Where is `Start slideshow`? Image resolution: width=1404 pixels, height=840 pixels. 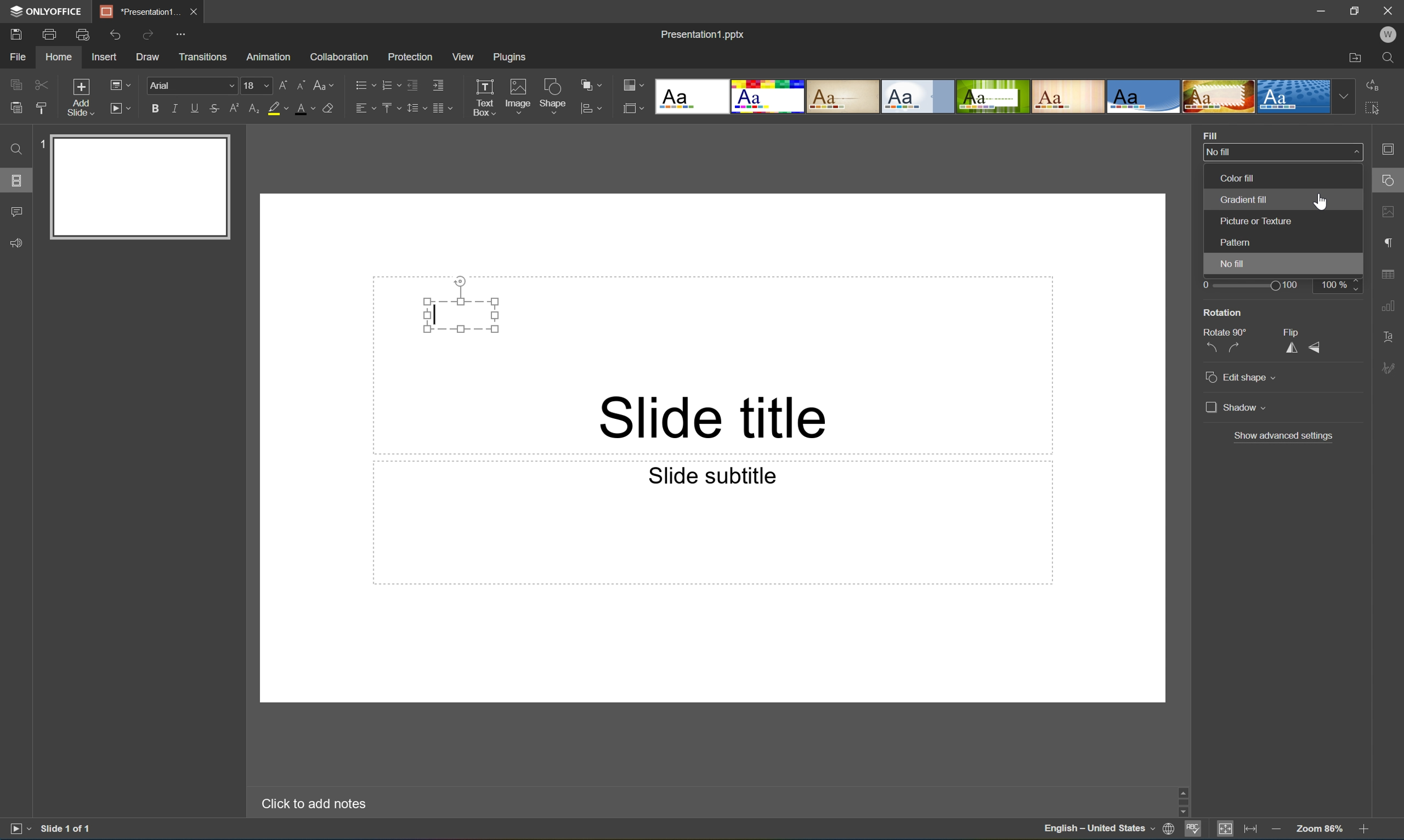
Start slideshow is located at coordinates (19, 828).